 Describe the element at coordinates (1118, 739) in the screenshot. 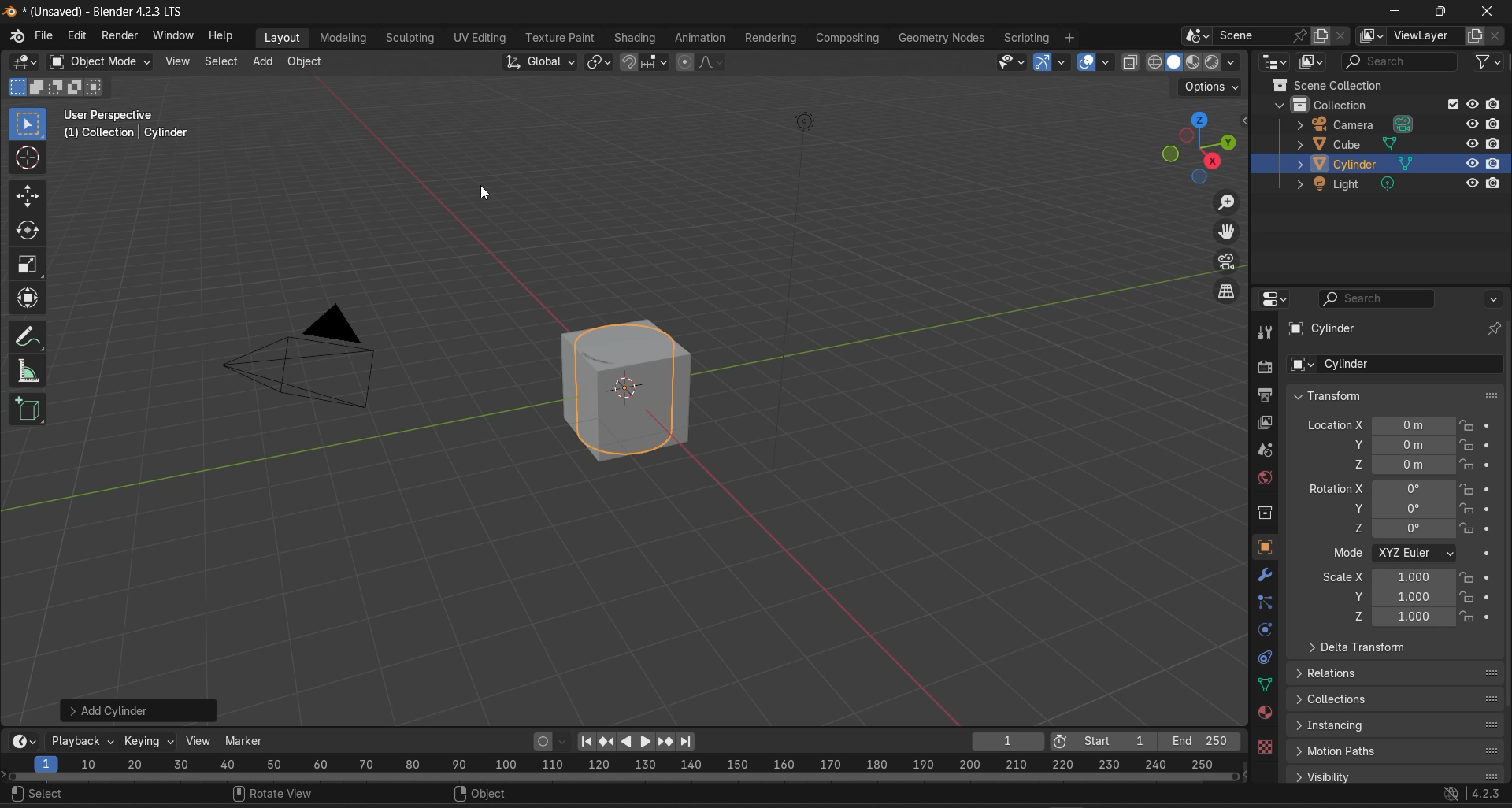

I see `first frame` at that location.